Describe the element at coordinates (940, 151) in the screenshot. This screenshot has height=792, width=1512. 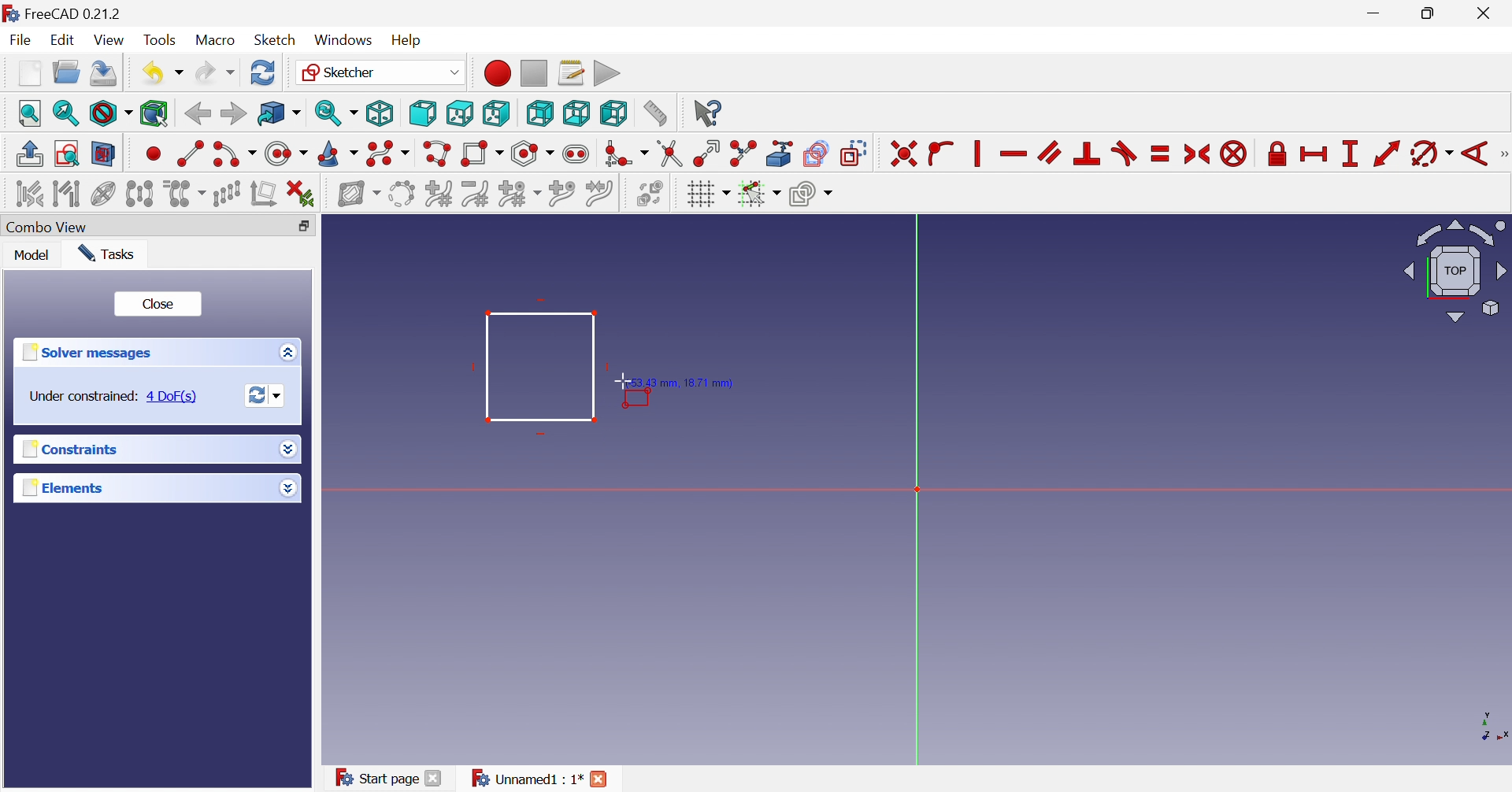
I see `Constrain point onto object` at that location.